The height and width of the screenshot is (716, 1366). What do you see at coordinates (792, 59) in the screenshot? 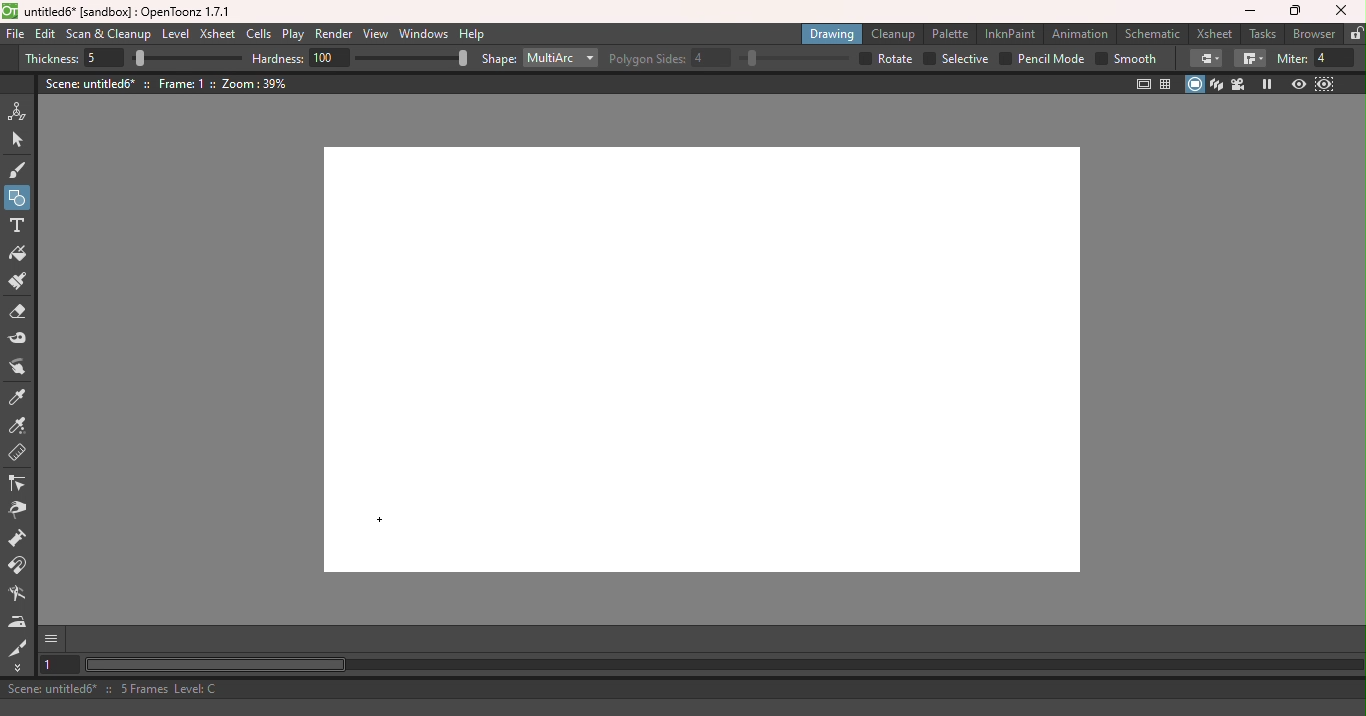
I see `Polygon sides bar` at bounding box center [792, 59].